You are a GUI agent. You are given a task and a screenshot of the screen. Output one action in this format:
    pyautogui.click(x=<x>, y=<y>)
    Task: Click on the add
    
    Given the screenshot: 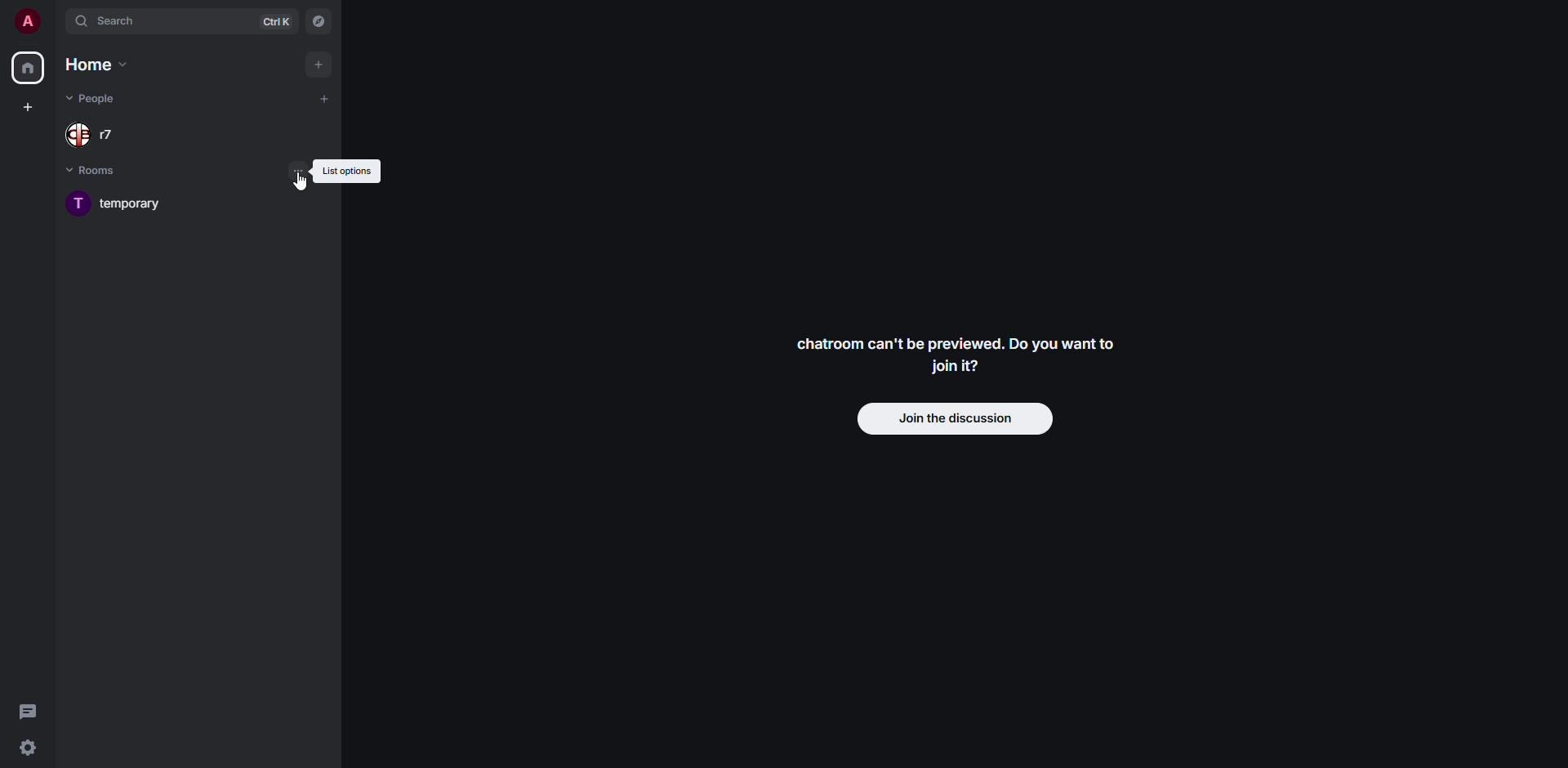 What is the action you would take?
    pyautogui.click(x=319, y=65)
    